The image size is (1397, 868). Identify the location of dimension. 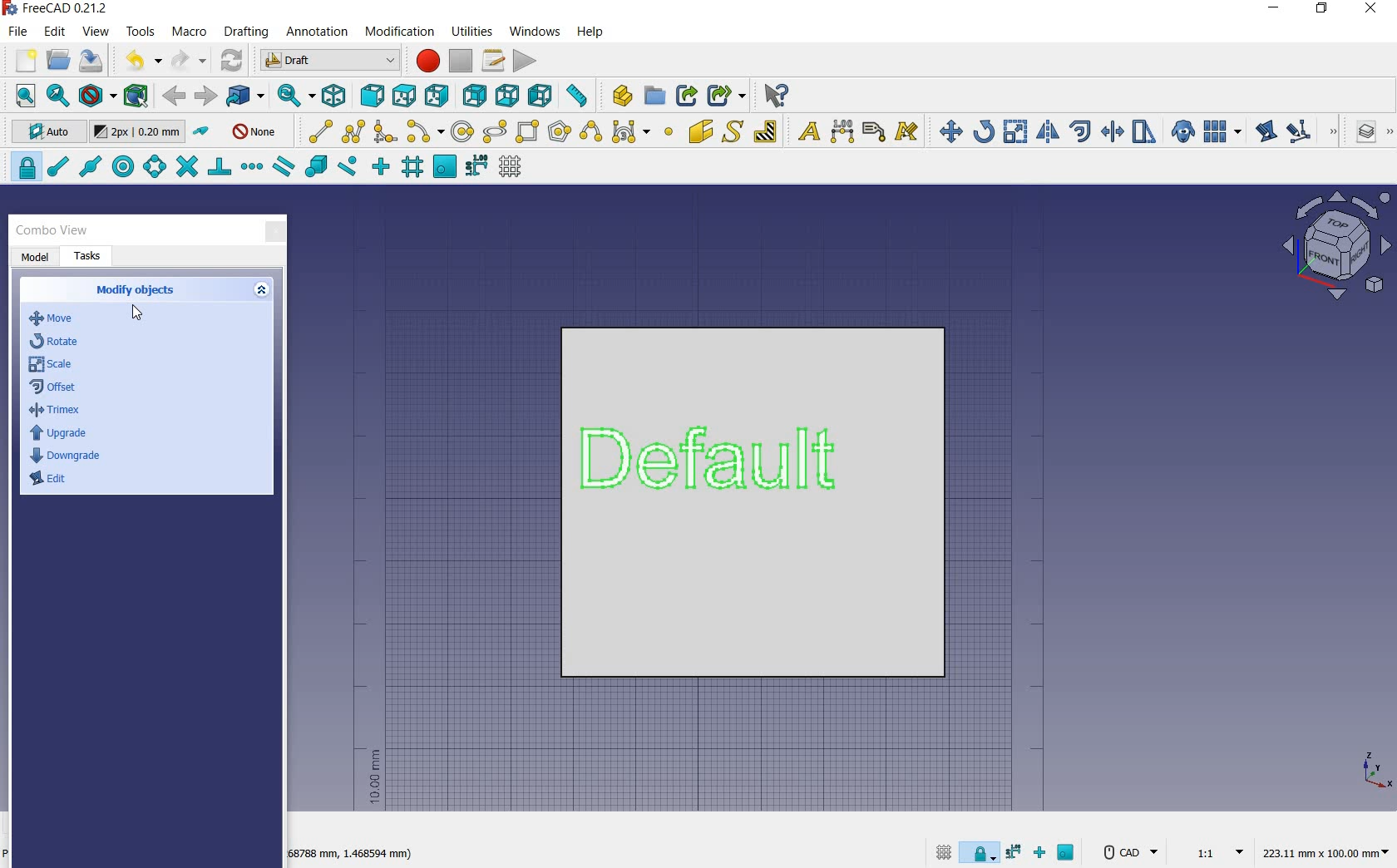
(353, 856).